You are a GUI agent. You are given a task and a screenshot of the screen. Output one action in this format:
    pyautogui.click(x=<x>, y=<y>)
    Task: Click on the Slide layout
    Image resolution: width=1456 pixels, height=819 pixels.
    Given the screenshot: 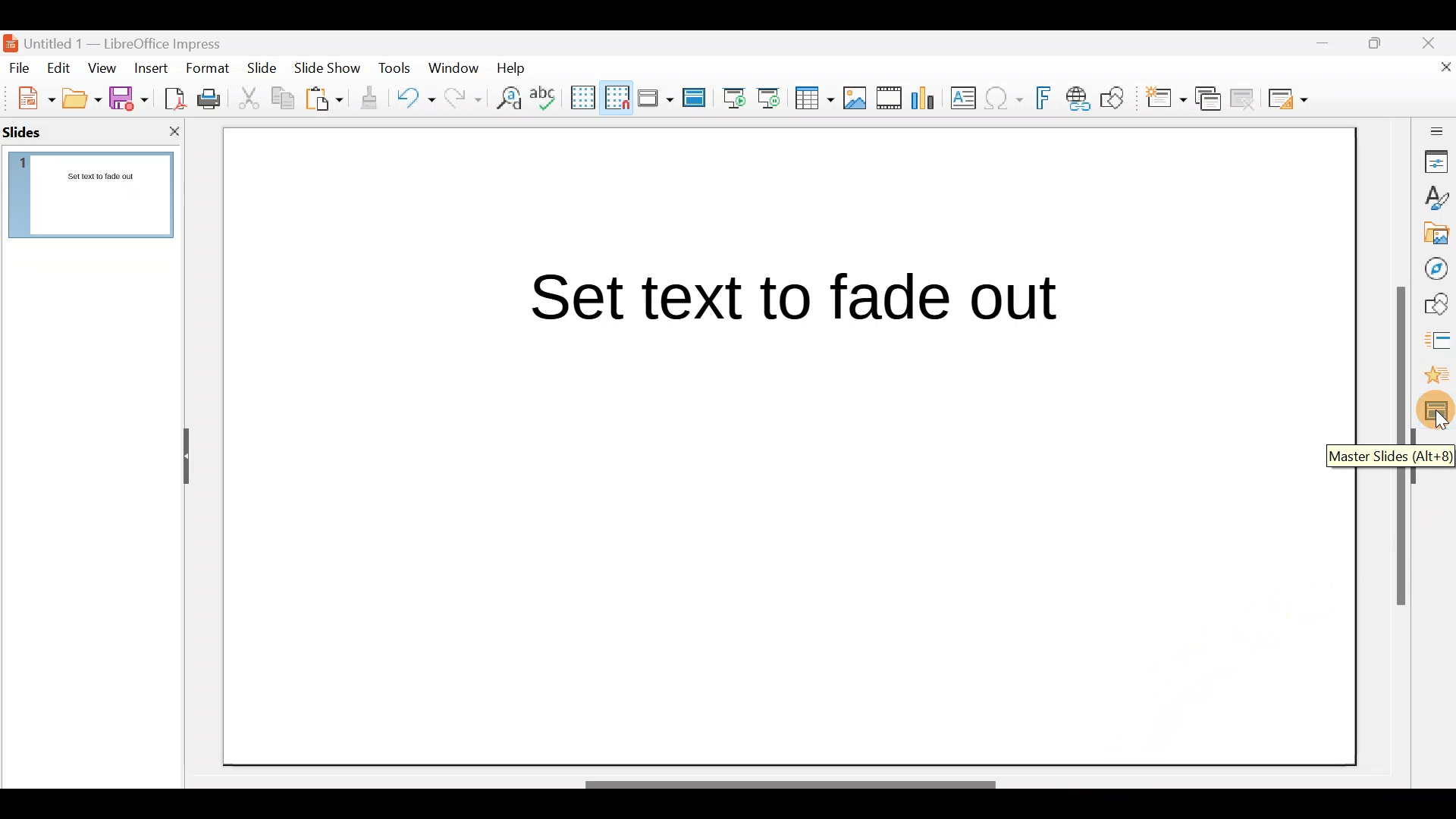 What is the action you would take?
    pyautogui.click(x=1289, y=99)
    